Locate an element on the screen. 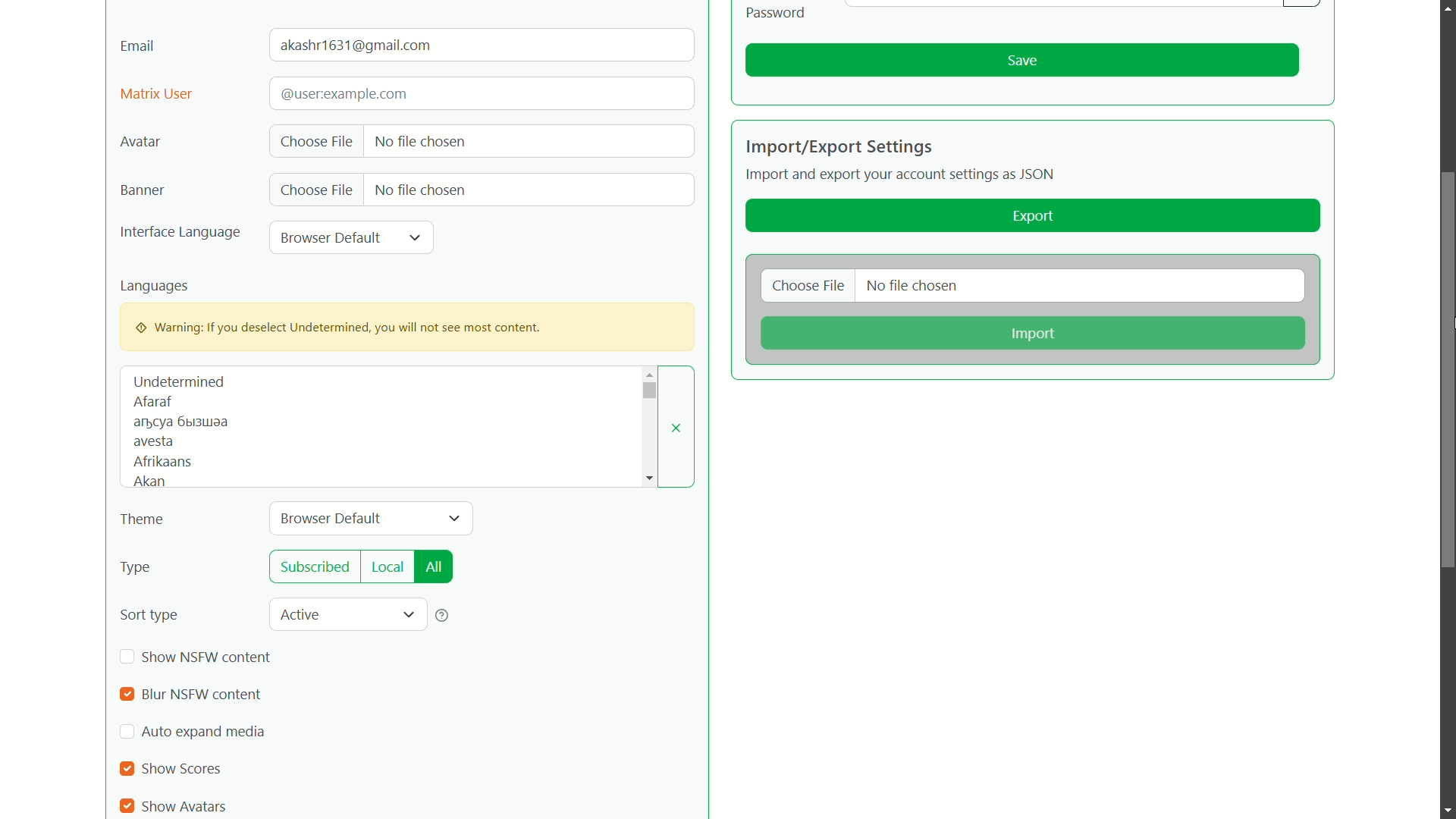 The width and height of the screenshot is (1456, 819). dropdown is located at coordinates (416, 237).